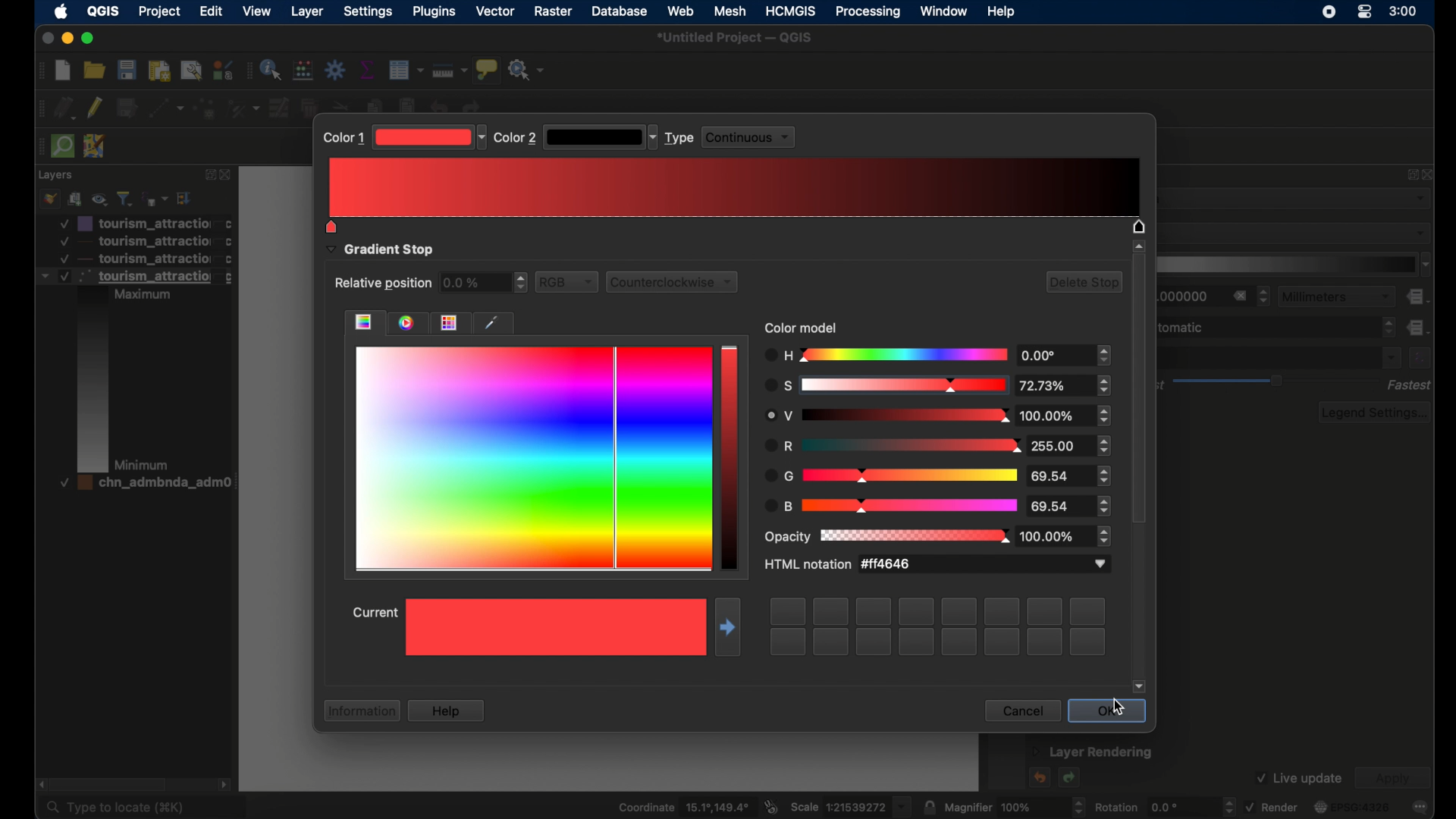  I want to click on web, so click(682, 10).